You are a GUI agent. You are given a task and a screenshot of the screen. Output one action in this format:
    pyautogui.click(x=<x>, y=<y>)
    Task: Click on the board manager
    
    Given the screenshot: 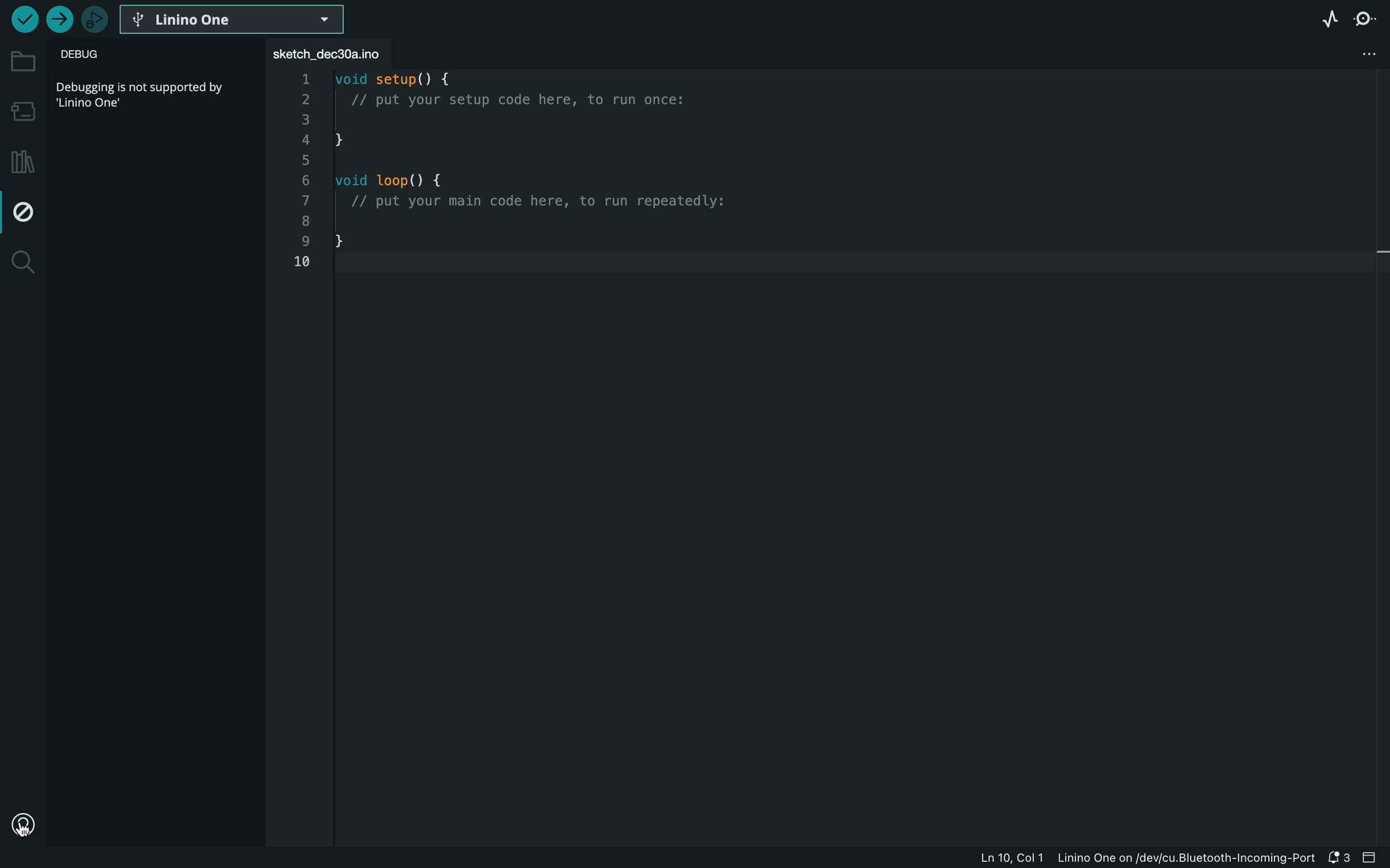 What is the action you would take?
    pyautogui.click(x=21, y=109)
    